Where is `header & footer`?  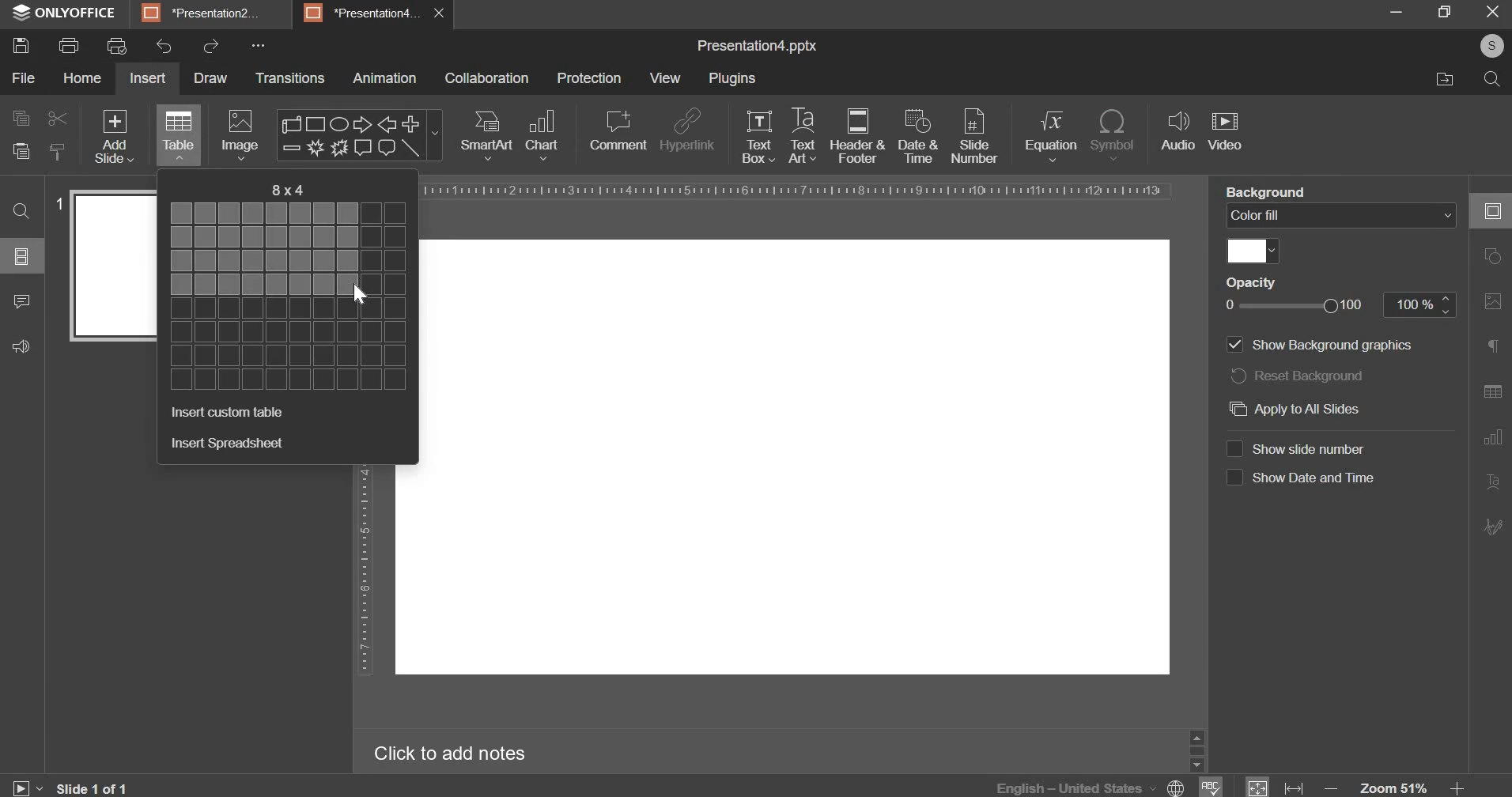 header & footer is located at coordinates (857, 136).